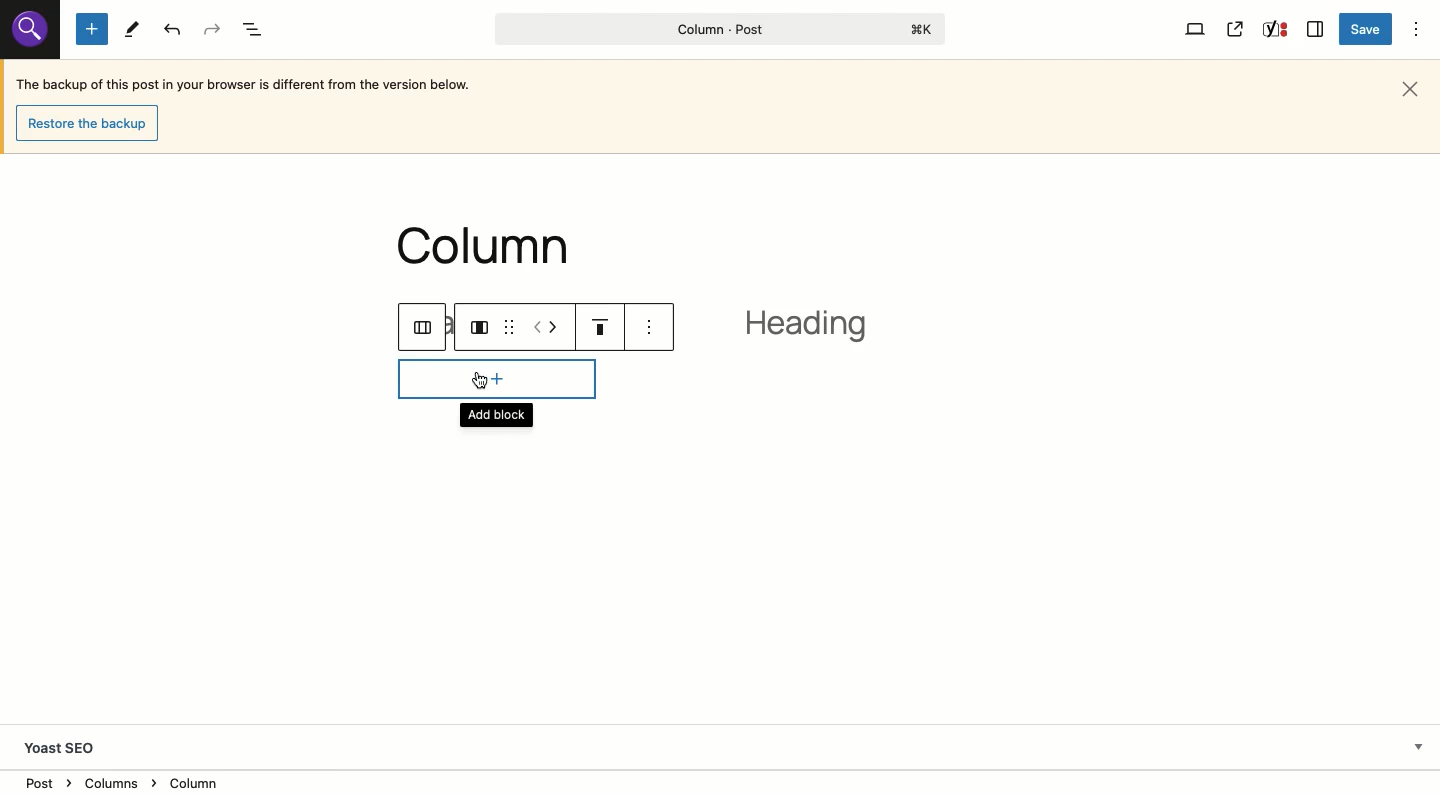  I want to click on Hide, so click(1418, 745).